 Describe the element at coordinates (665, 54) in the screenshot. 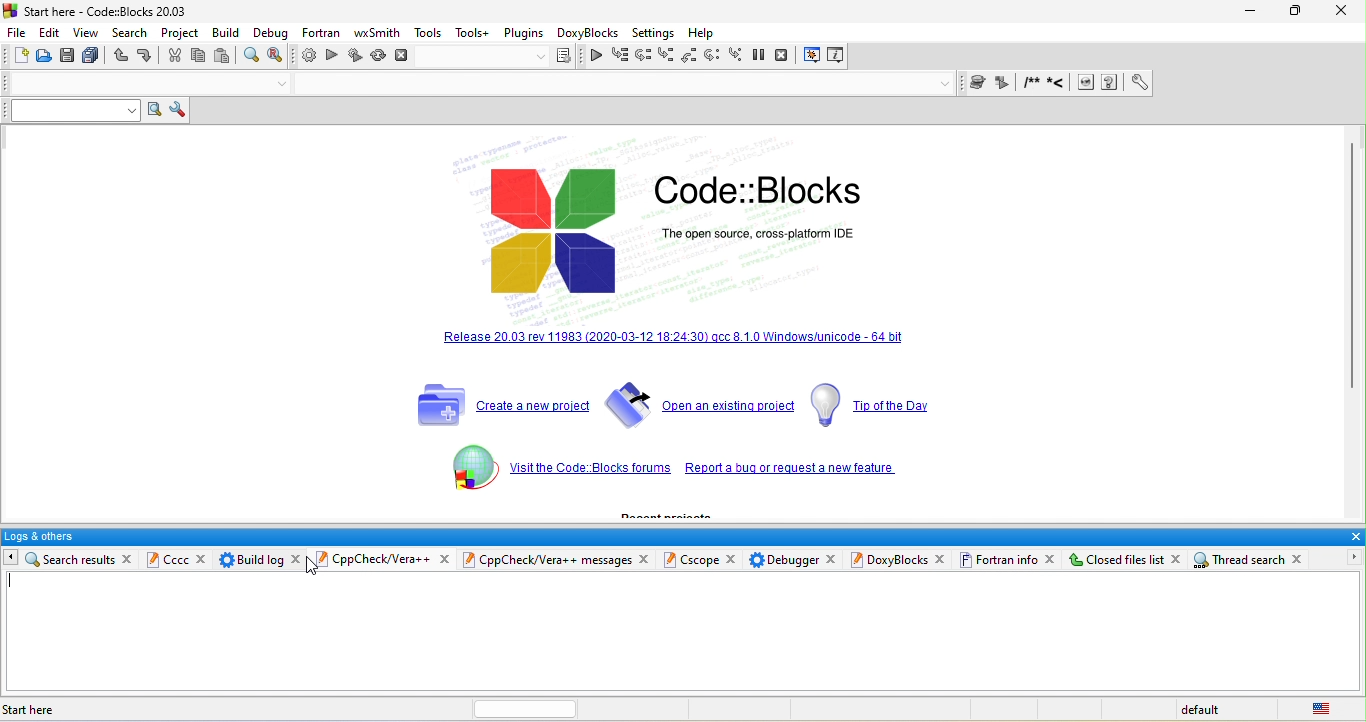

I see `step into` at that location.